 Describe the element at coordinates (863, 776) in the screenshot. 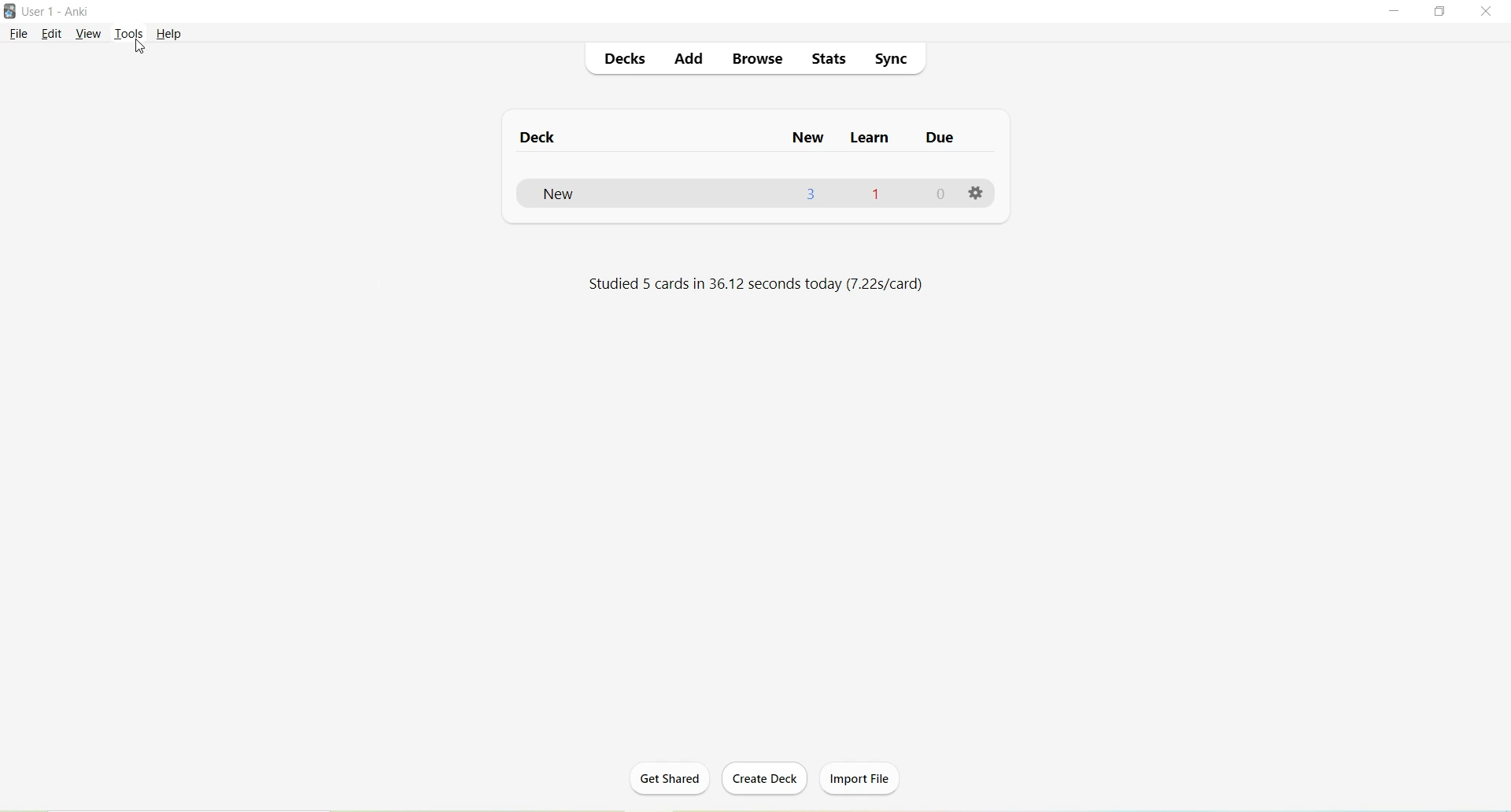

I see `Import file` at that location.